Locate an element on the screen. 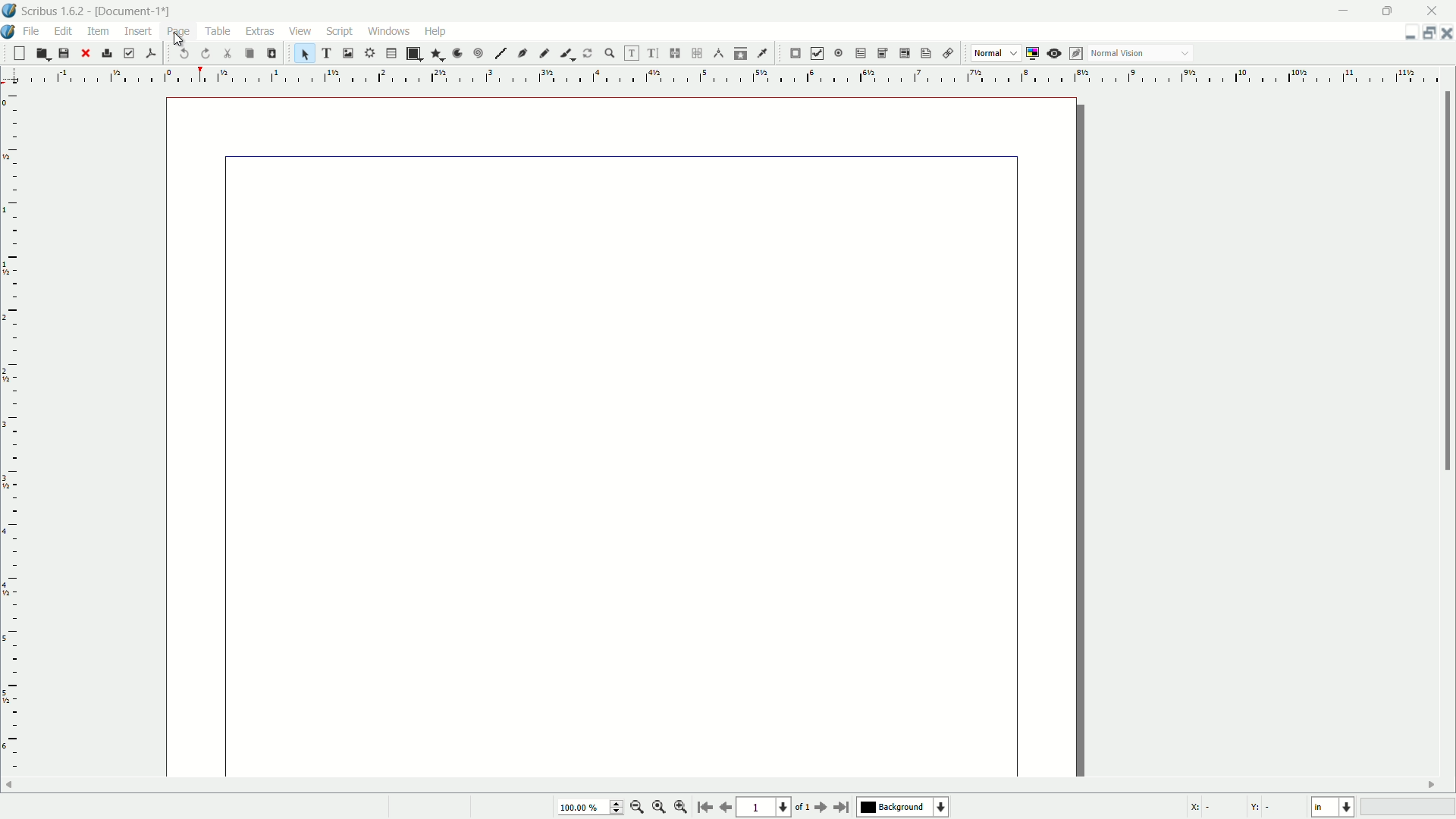 The height and width of the screenshot is (819, 1456). measurements is located at coordinates (719, 54).